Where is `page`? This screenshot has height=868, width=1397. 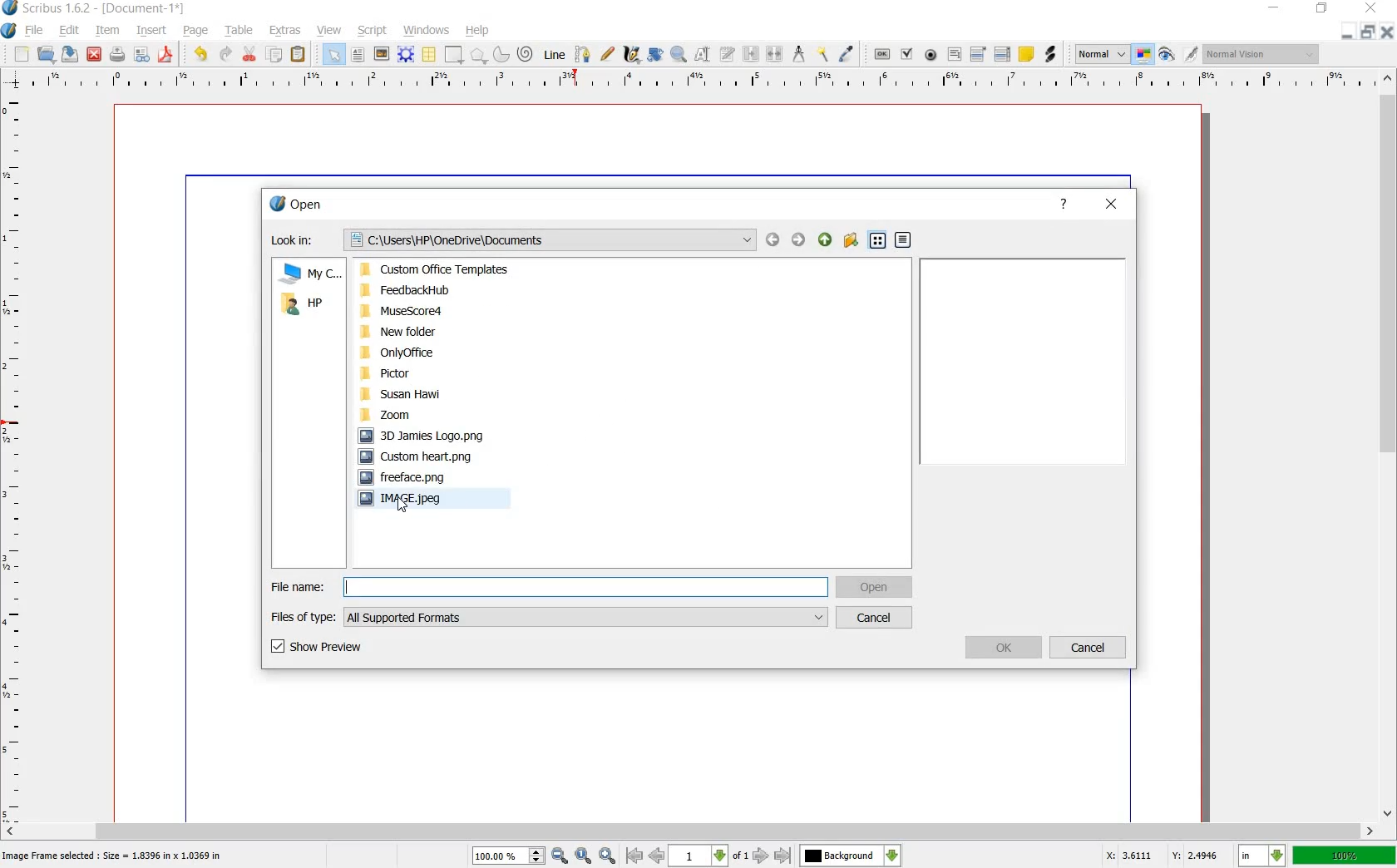 page is located at coordinates (195, 32).